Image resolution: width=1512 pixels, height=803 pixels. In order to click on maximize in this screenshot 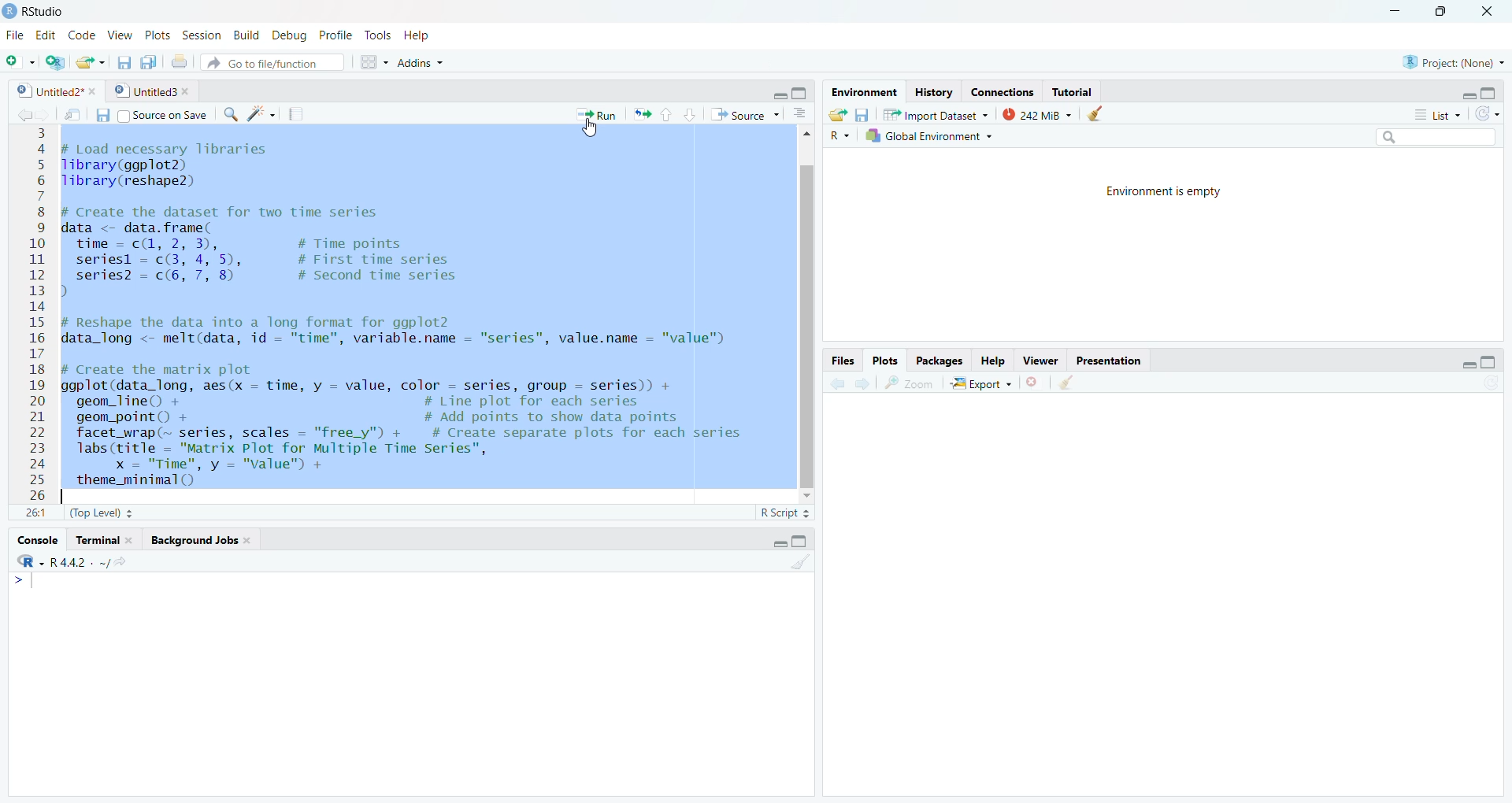, I will do `click(801, 93)`.